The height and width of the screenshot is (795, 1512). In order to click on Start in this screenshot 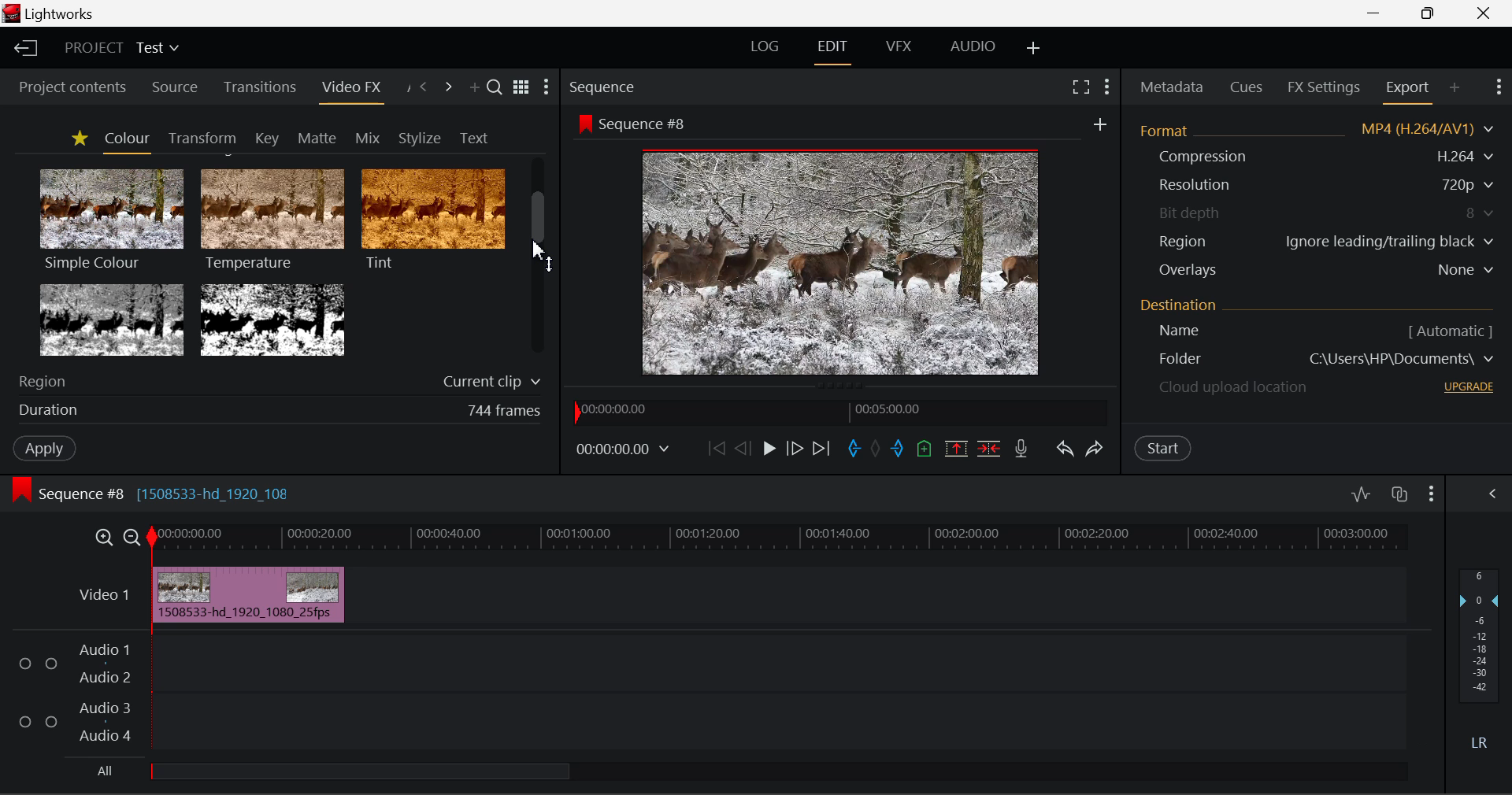, I will do `click(1164, 449)`.